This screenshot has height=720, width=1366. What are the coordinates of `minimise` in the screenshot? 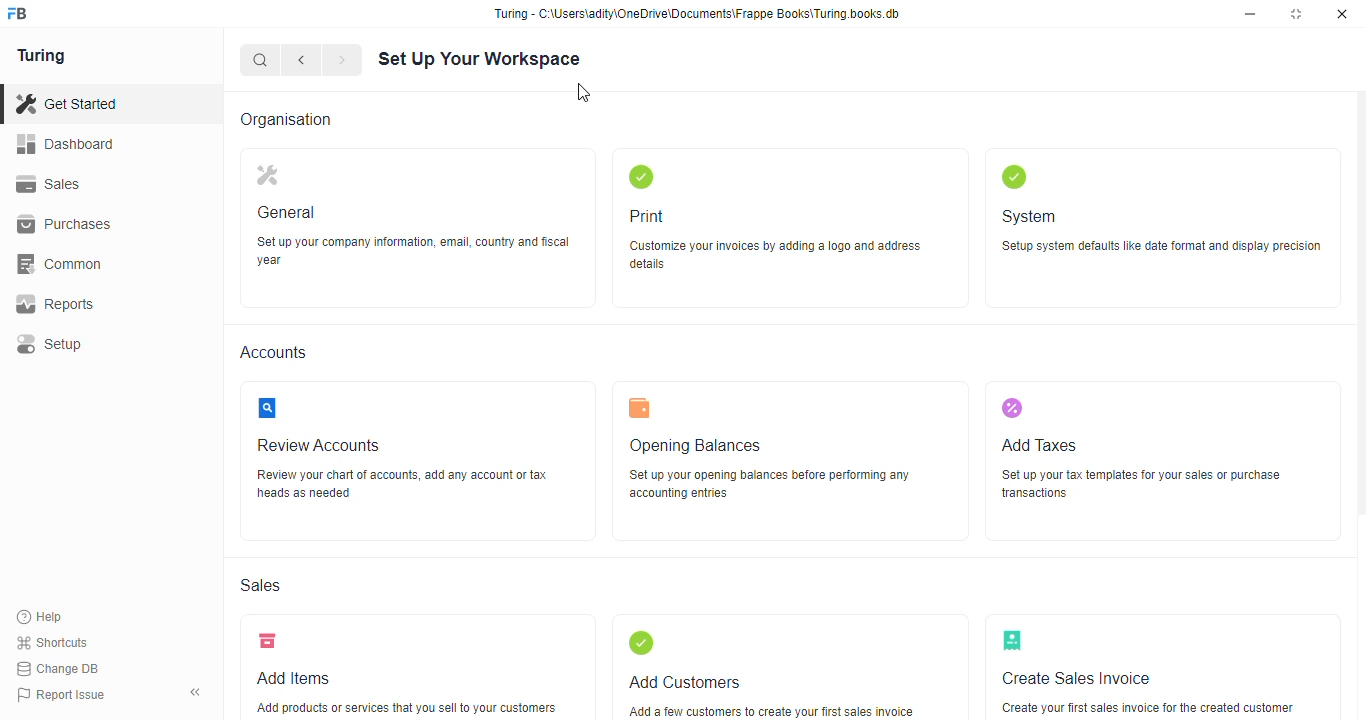 It's located at (1253, 13).